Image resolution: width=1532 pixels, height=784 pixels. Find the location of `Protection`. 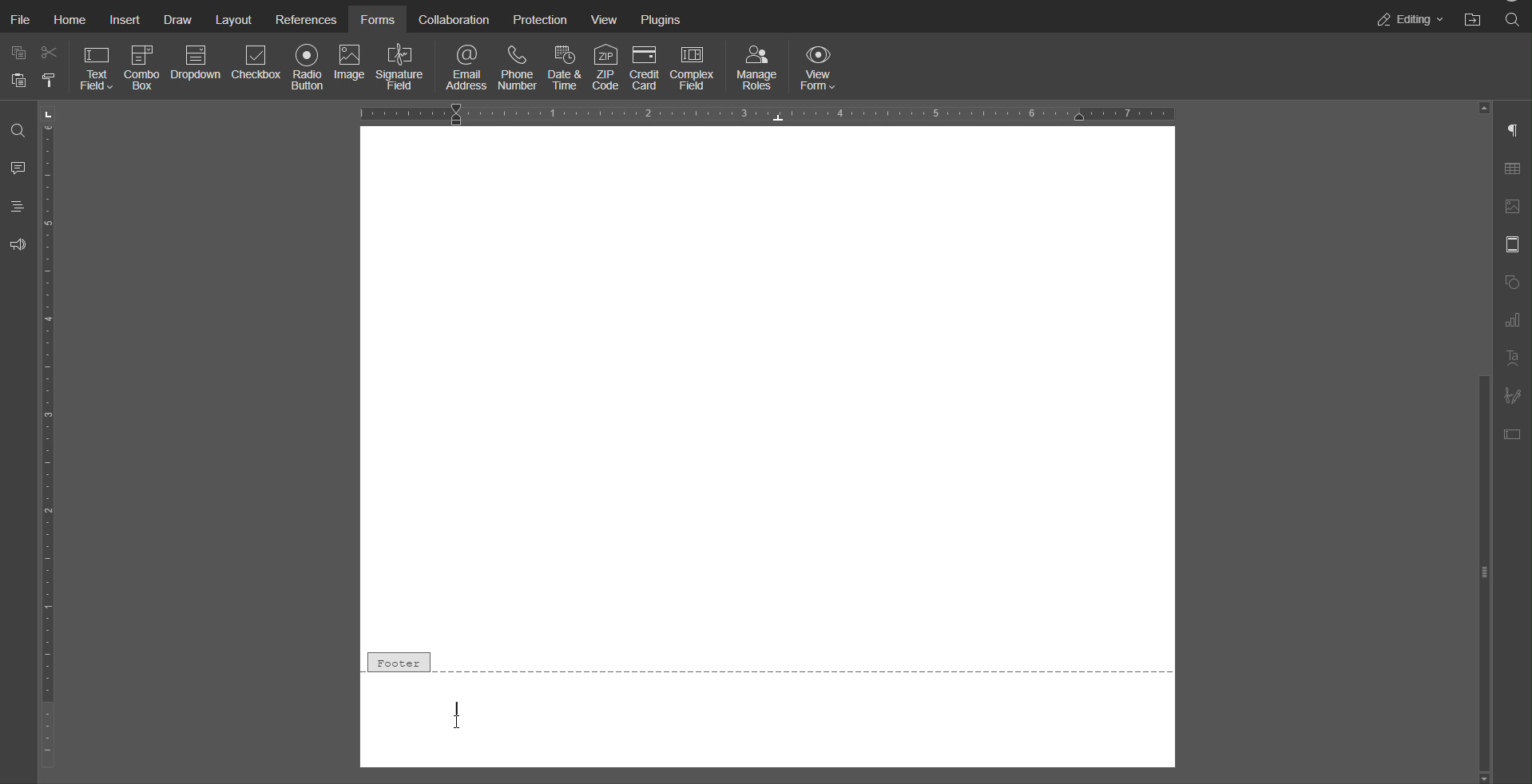

Protection is located at coordinates (538, 18).